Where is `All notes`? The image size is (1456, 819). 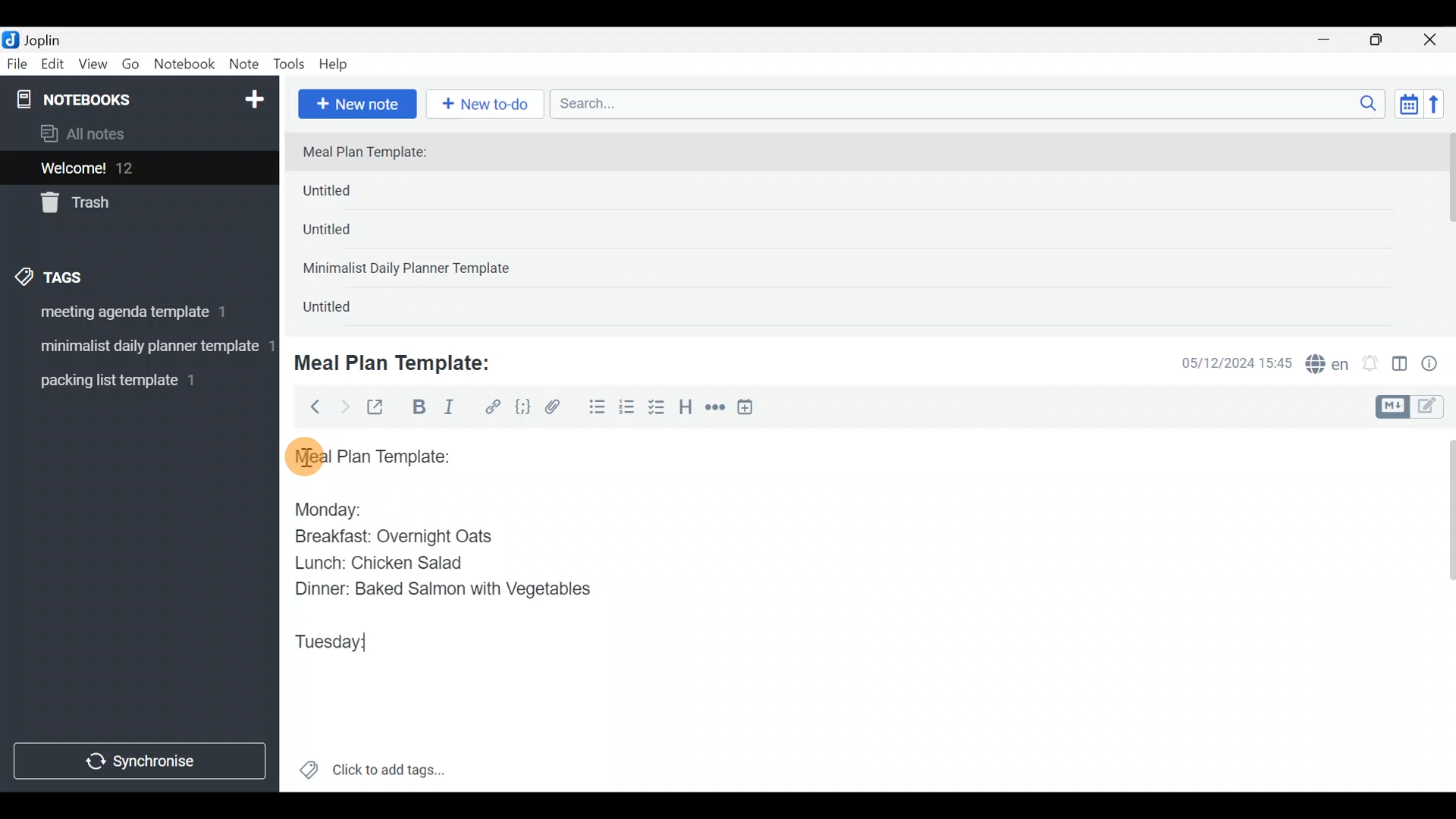 All notes is located at coordinates (136, 135).